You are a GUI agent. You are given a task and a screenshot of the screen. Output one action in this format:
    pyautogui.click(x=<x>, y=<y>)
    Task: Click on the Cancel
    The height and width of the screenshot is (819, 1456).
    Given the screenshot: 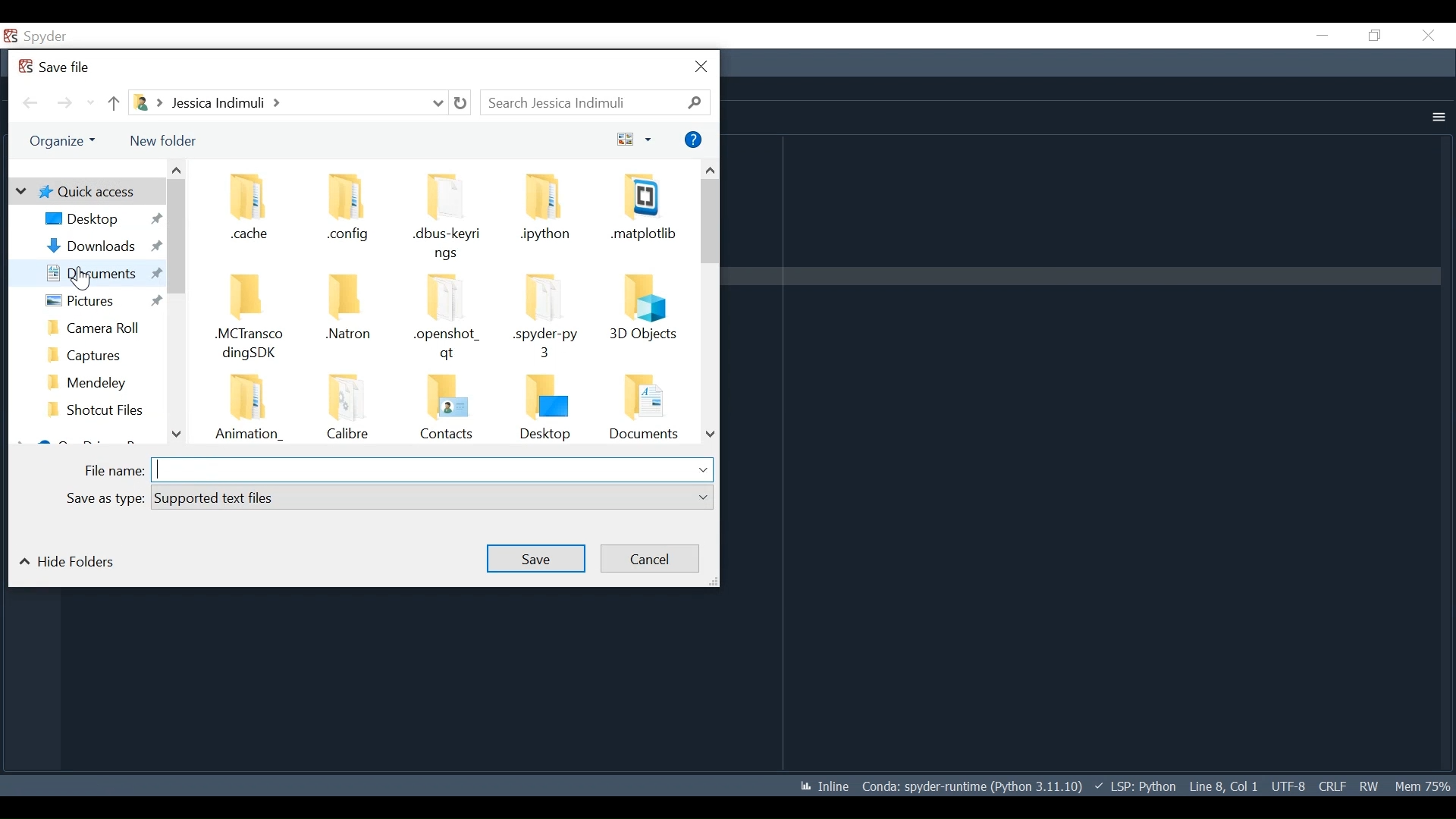 What is the action you would take?
    pyautogui.click(x=650, y=559)
    